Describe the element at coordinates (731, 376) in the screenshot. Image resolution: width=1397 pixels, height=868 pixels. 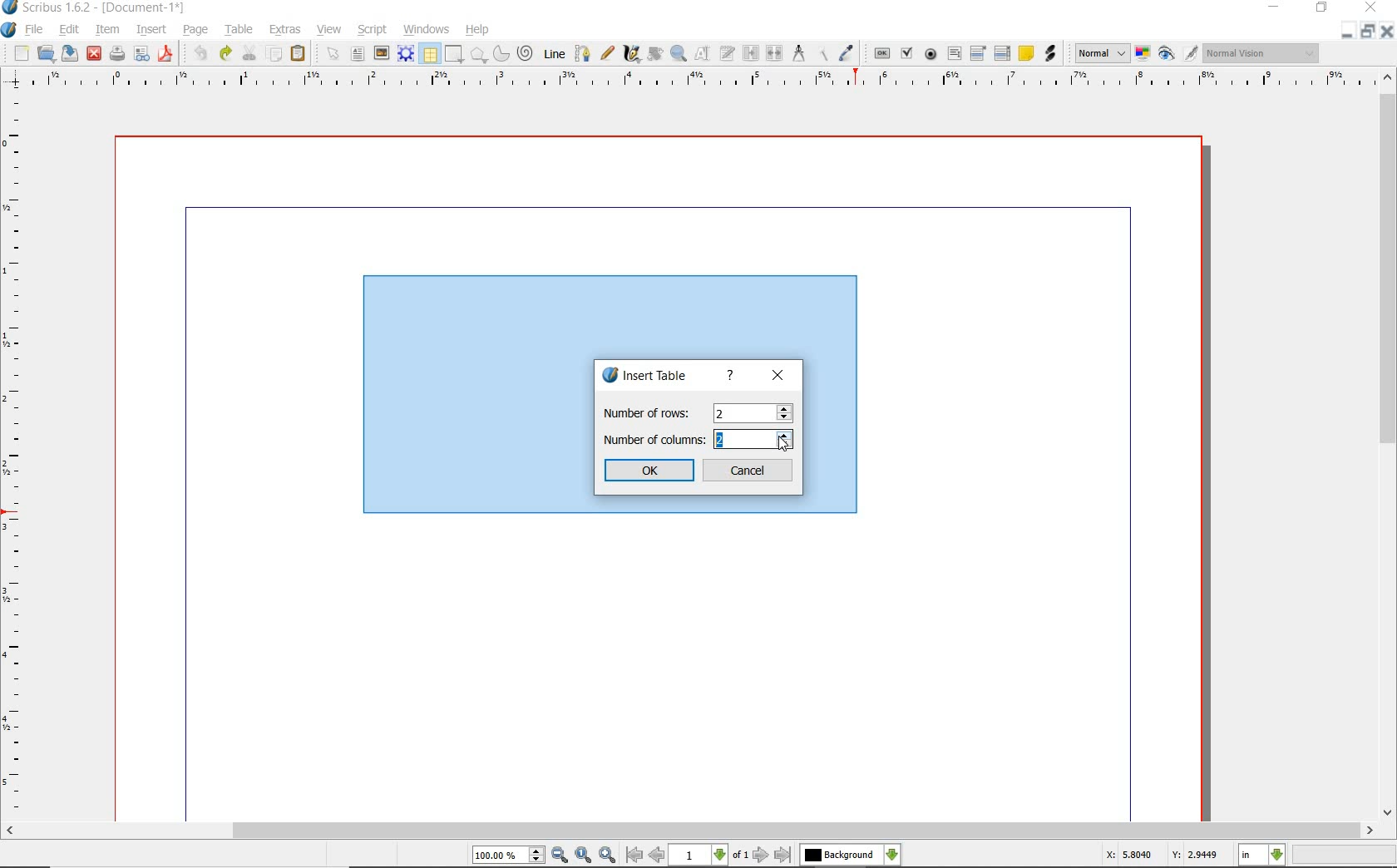
I see `help` at that location.